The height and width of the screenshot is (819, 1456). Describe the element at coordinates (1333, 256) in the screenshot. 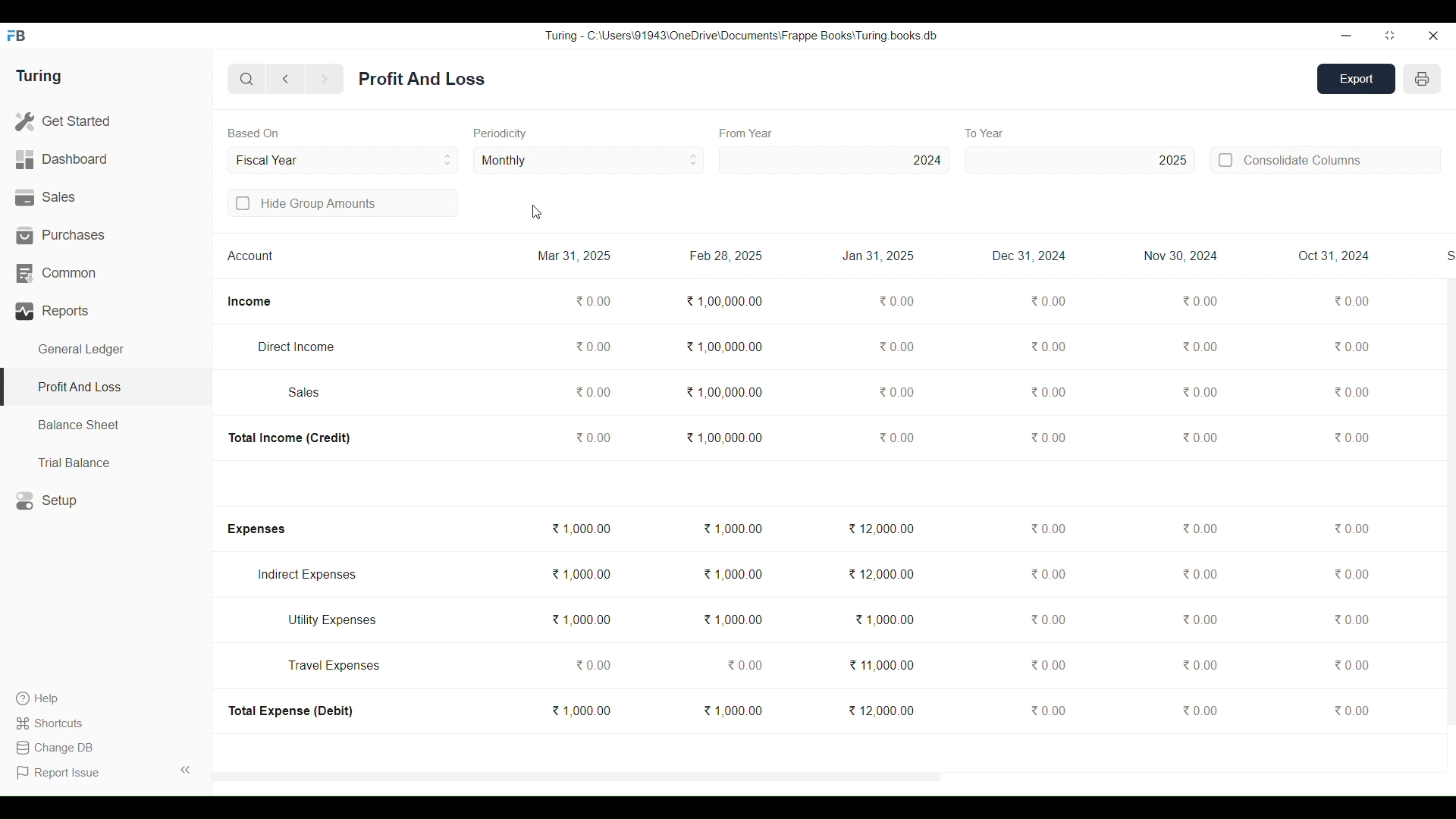

I see `Oct 31, 2024` at that location.